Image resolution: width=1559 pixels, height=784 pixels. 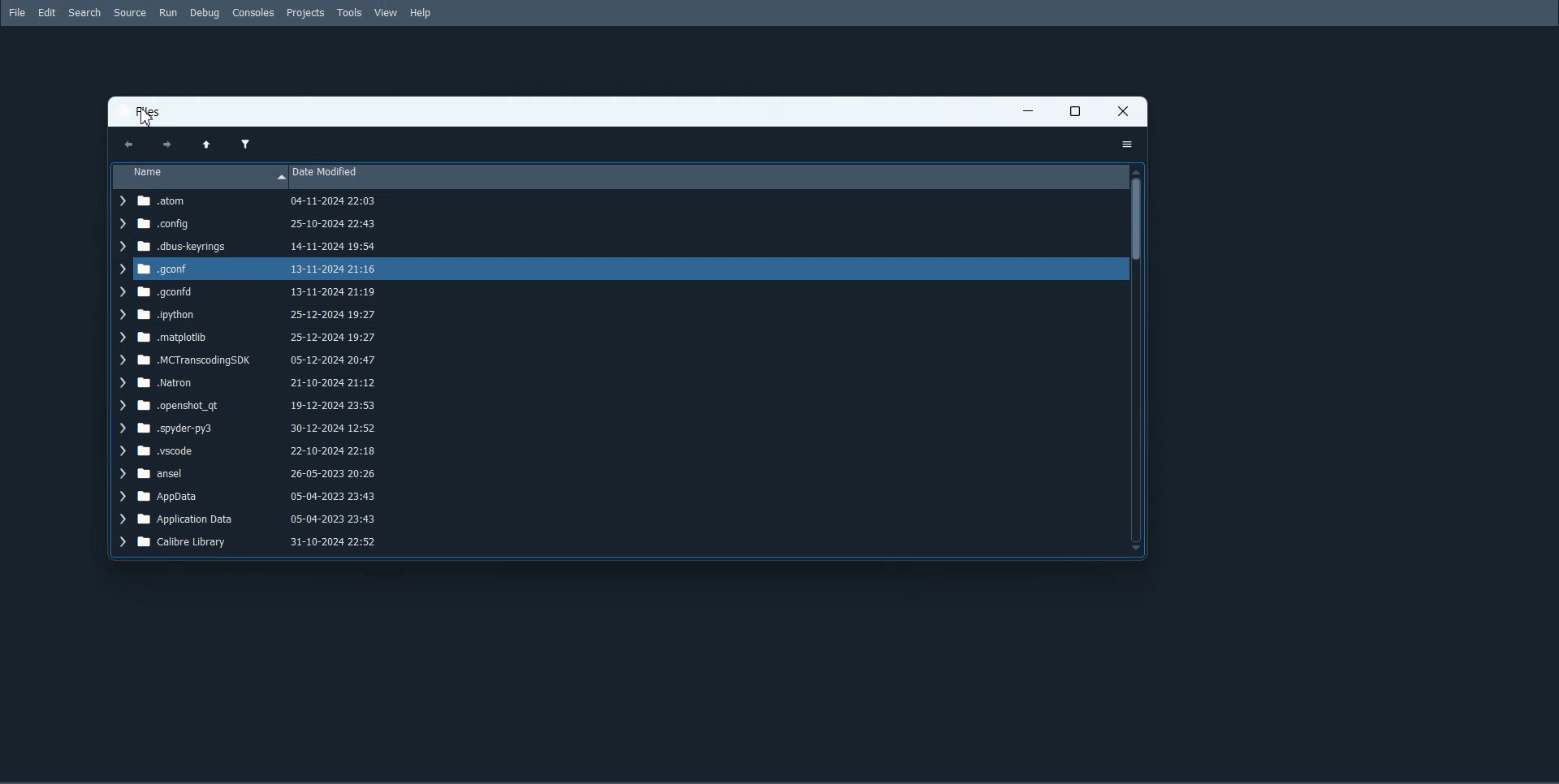 I want to click on Options, so click(x=1128, y=144).